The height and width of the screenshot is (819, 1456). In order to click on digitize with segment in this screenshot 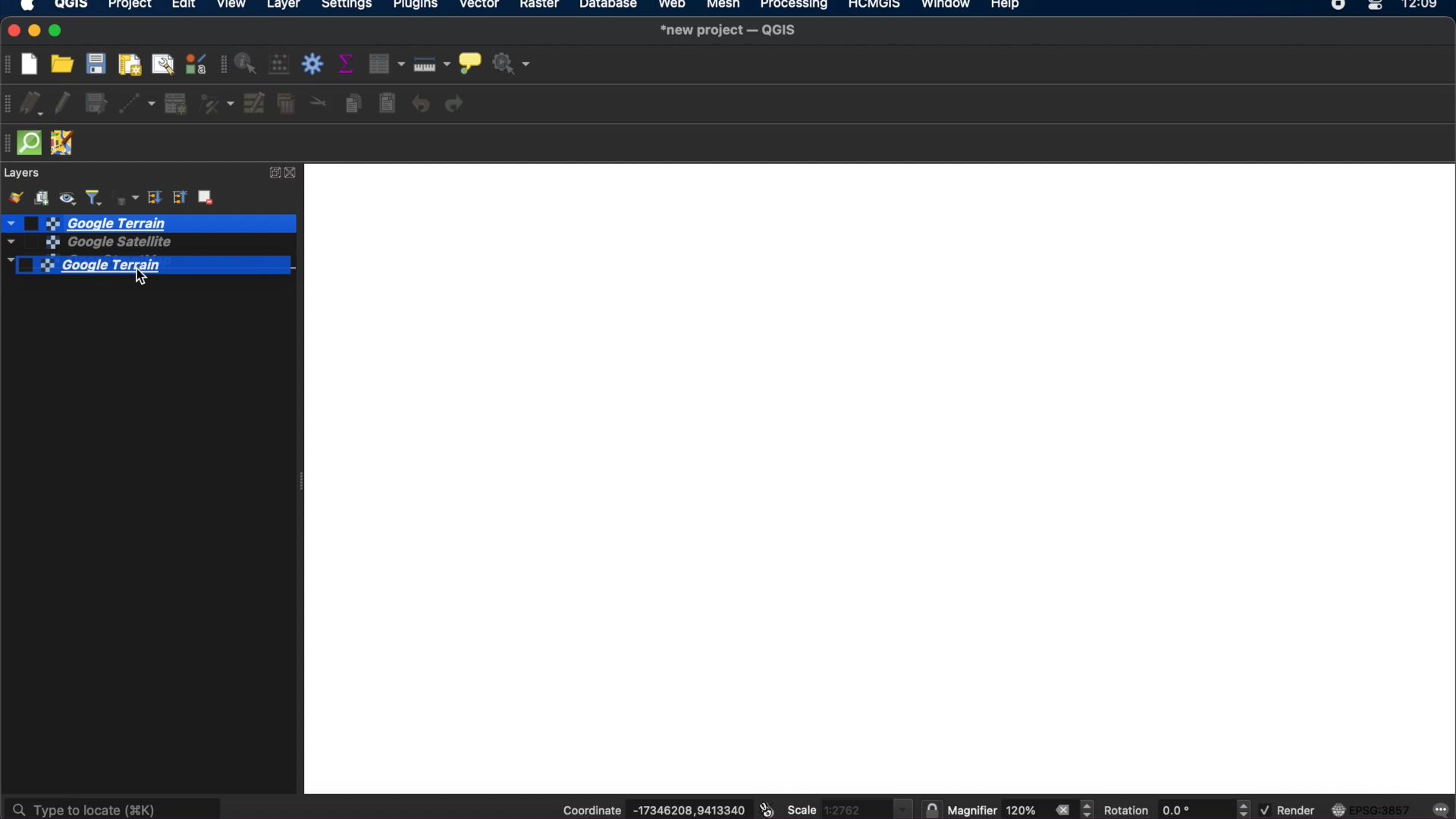, I will do `click(139, 103)`.